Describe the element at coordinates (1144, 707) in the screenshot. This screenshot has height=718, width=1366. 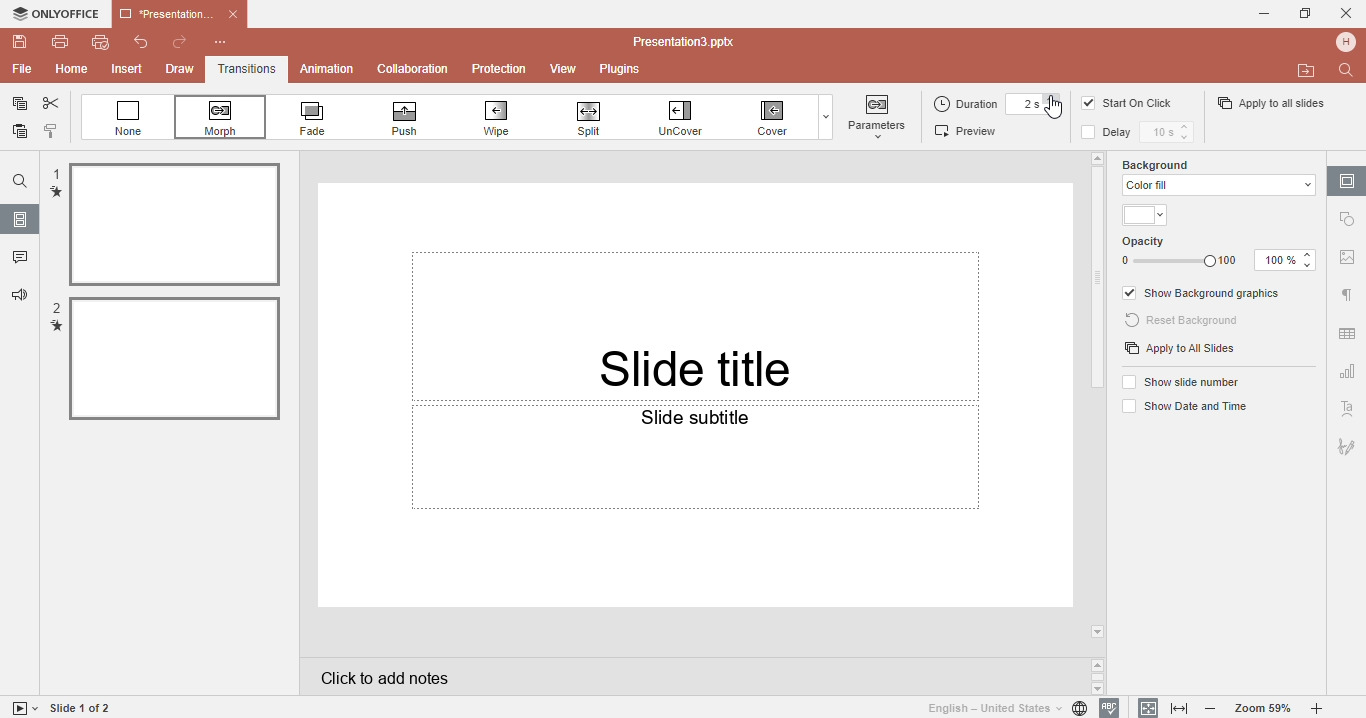
I see `Fit to slidee` at that location.